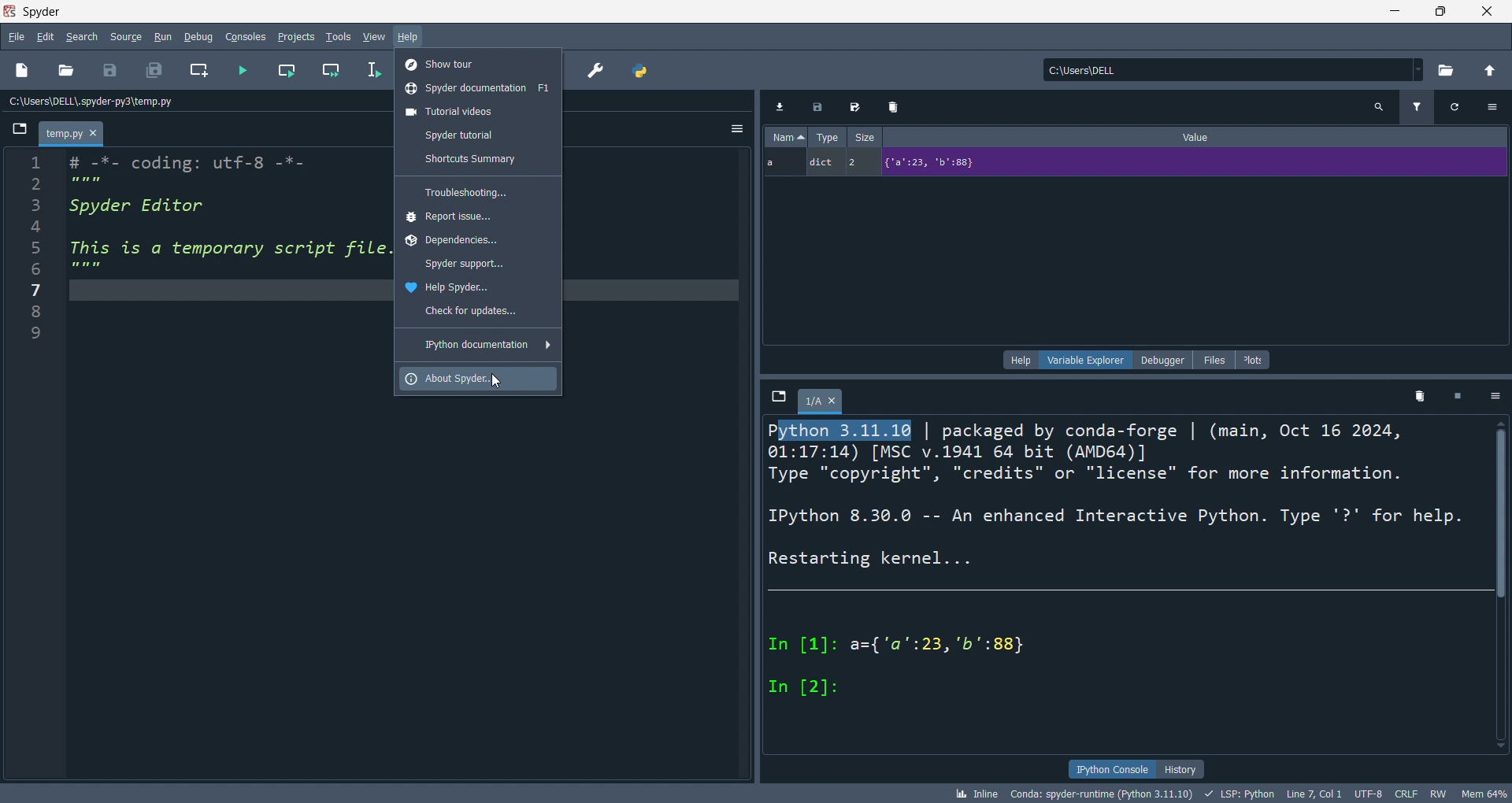  What do you see at coordinates (372, 71) in the screenshot?
I see `run line` at bounding box center [372, 71].